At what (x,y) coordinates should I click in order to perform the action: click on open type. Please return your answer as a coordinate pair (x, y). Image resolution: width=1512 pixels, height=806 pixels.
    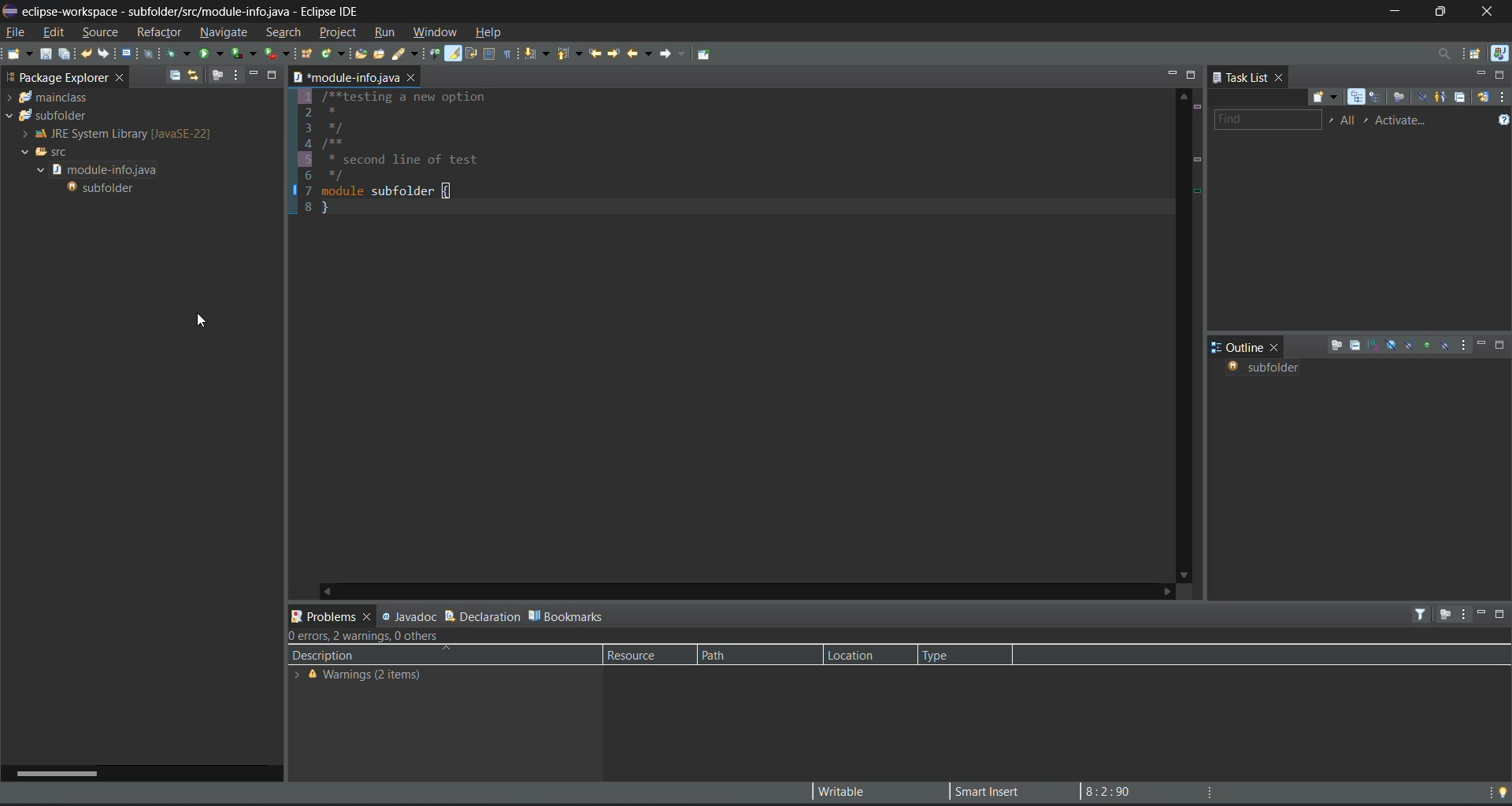
    Looking at the image, I should click on (359, 55).